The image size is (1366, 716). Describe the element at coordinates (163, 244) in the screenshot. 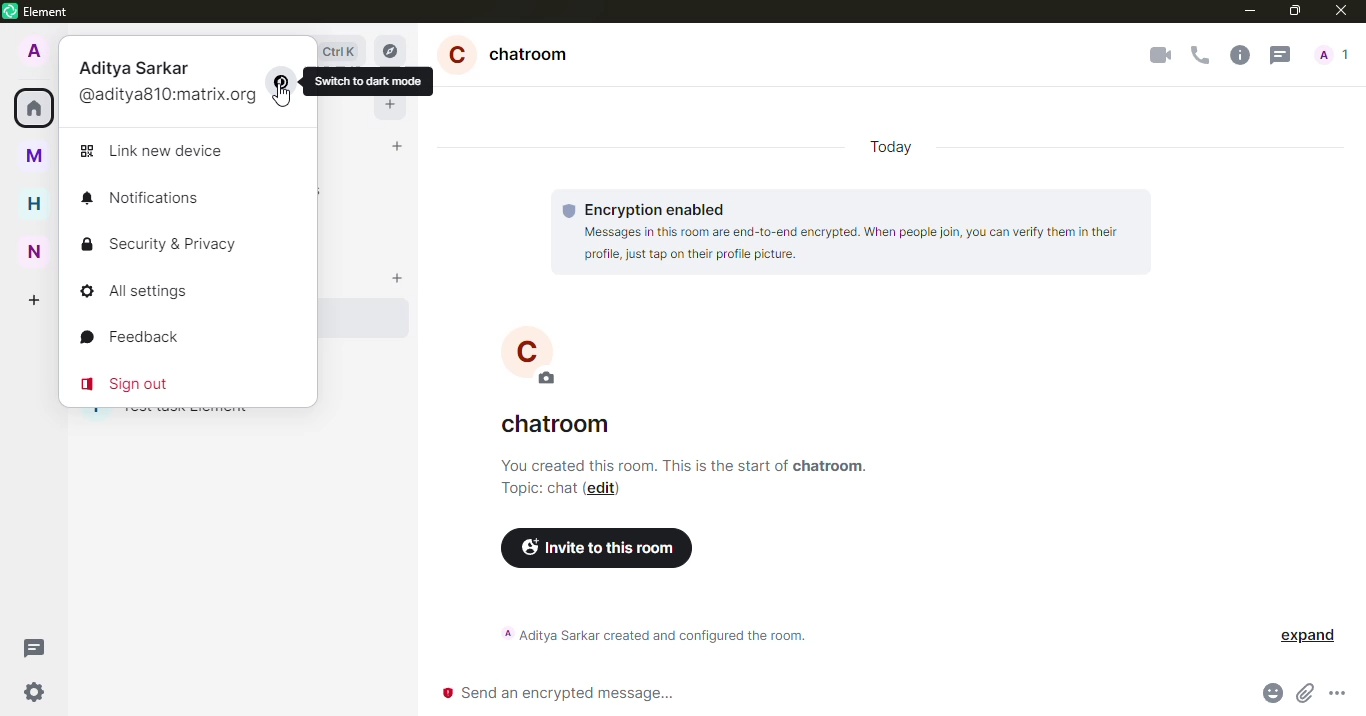

I see `security & privacy` at that location.